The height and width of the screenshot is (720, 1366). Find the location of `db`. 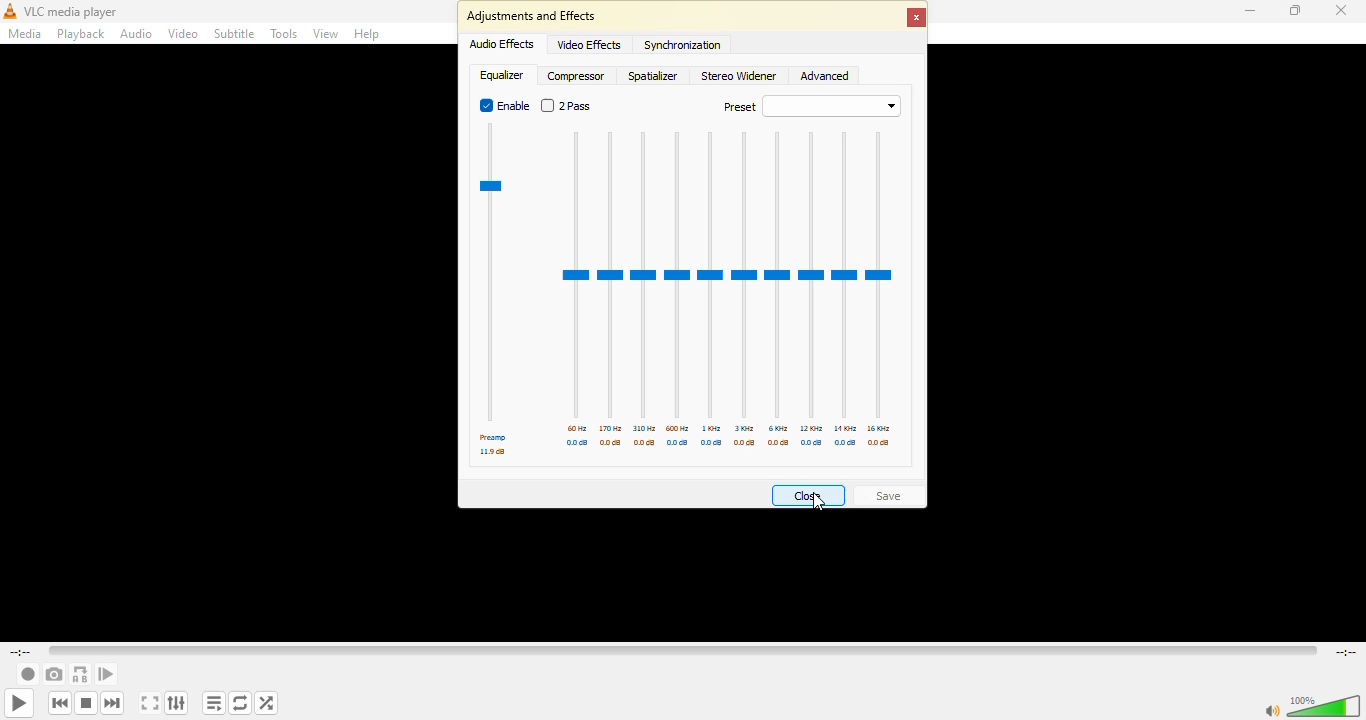

db is located at coordinates (610, 443).